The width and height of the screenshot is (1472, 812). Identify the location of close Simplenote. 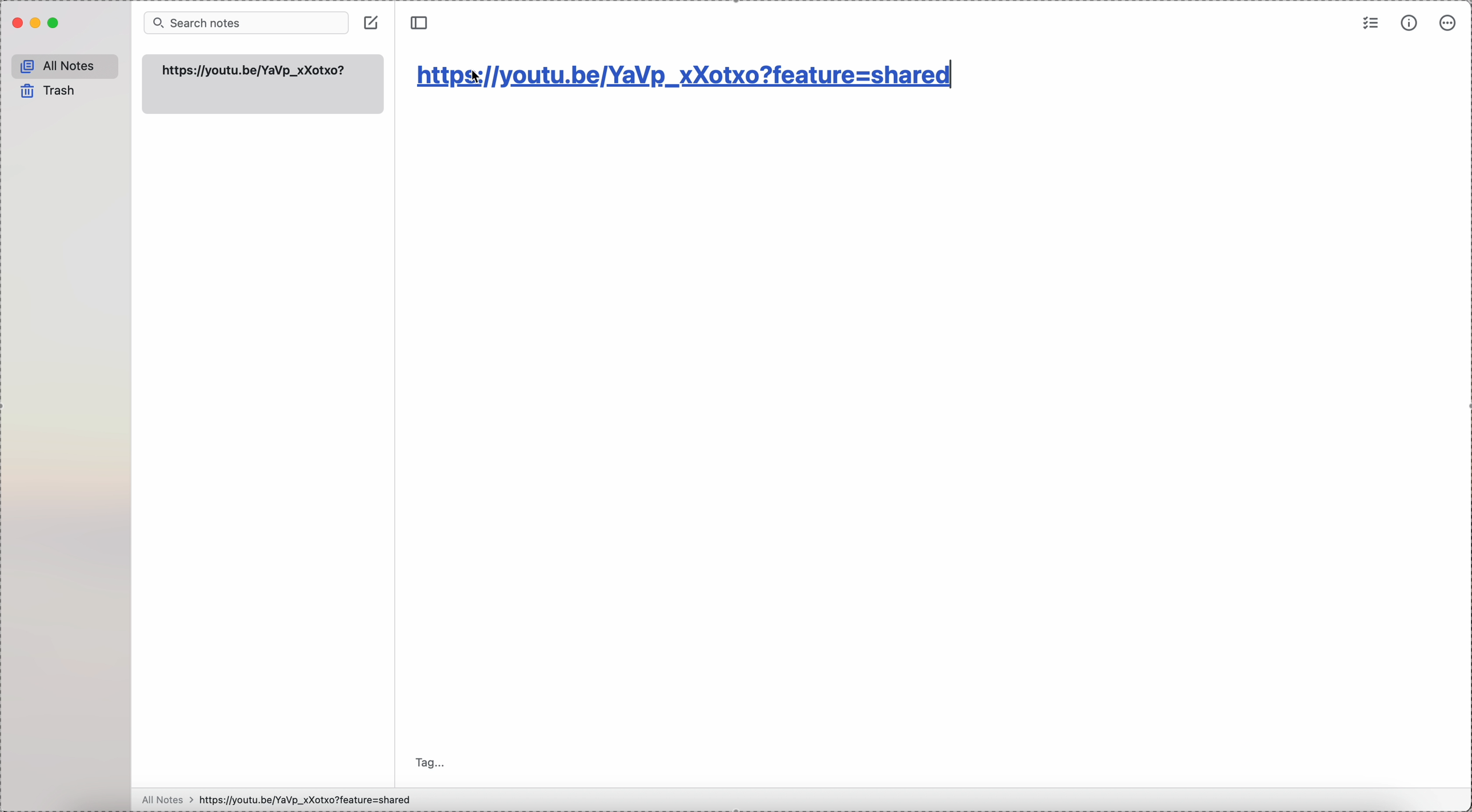
(17, 25).